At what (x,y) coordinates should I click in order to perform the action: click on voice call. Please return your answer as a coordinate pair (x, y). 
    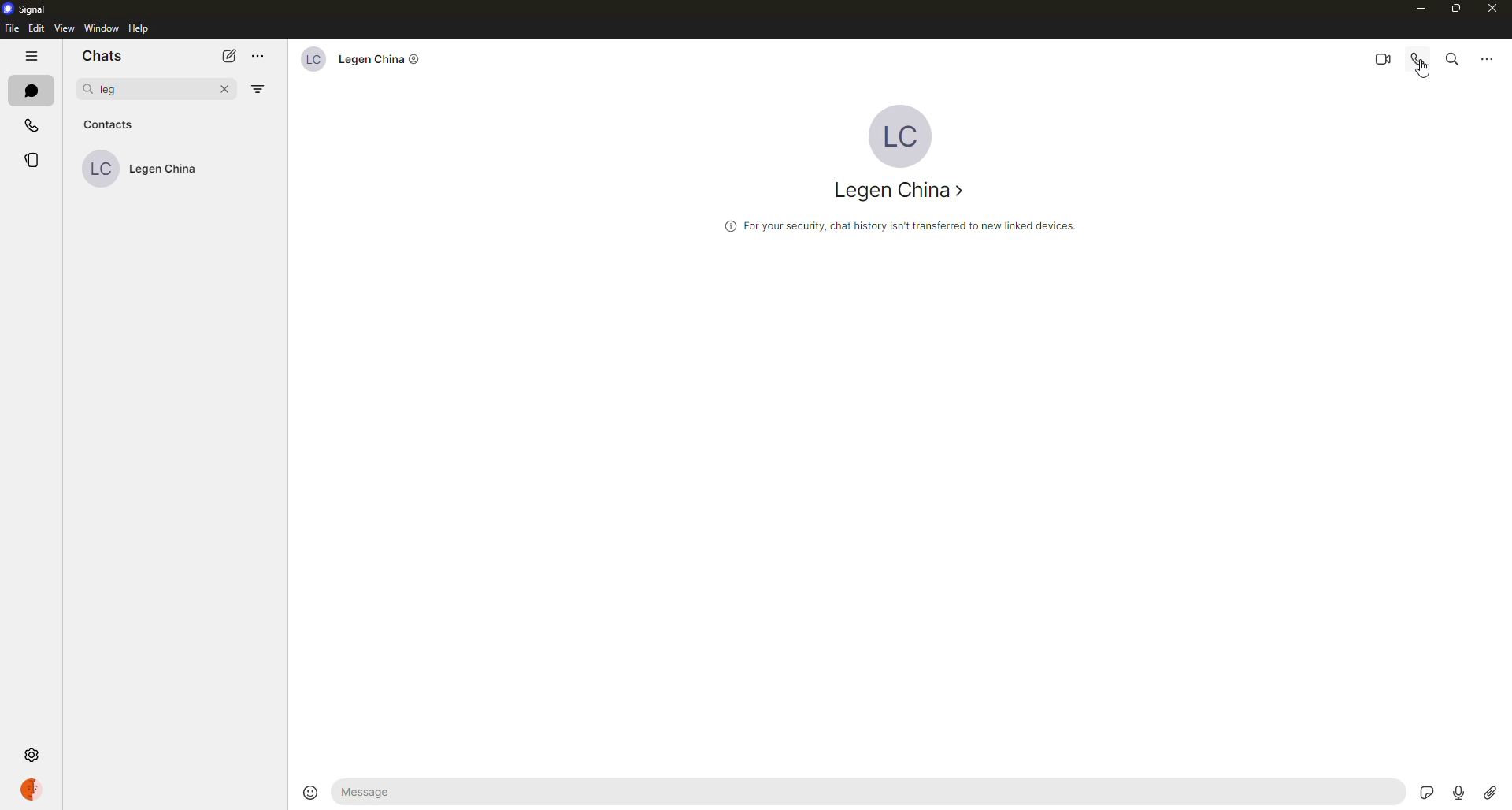
    Looking at the image, I should click on (1418, 60).